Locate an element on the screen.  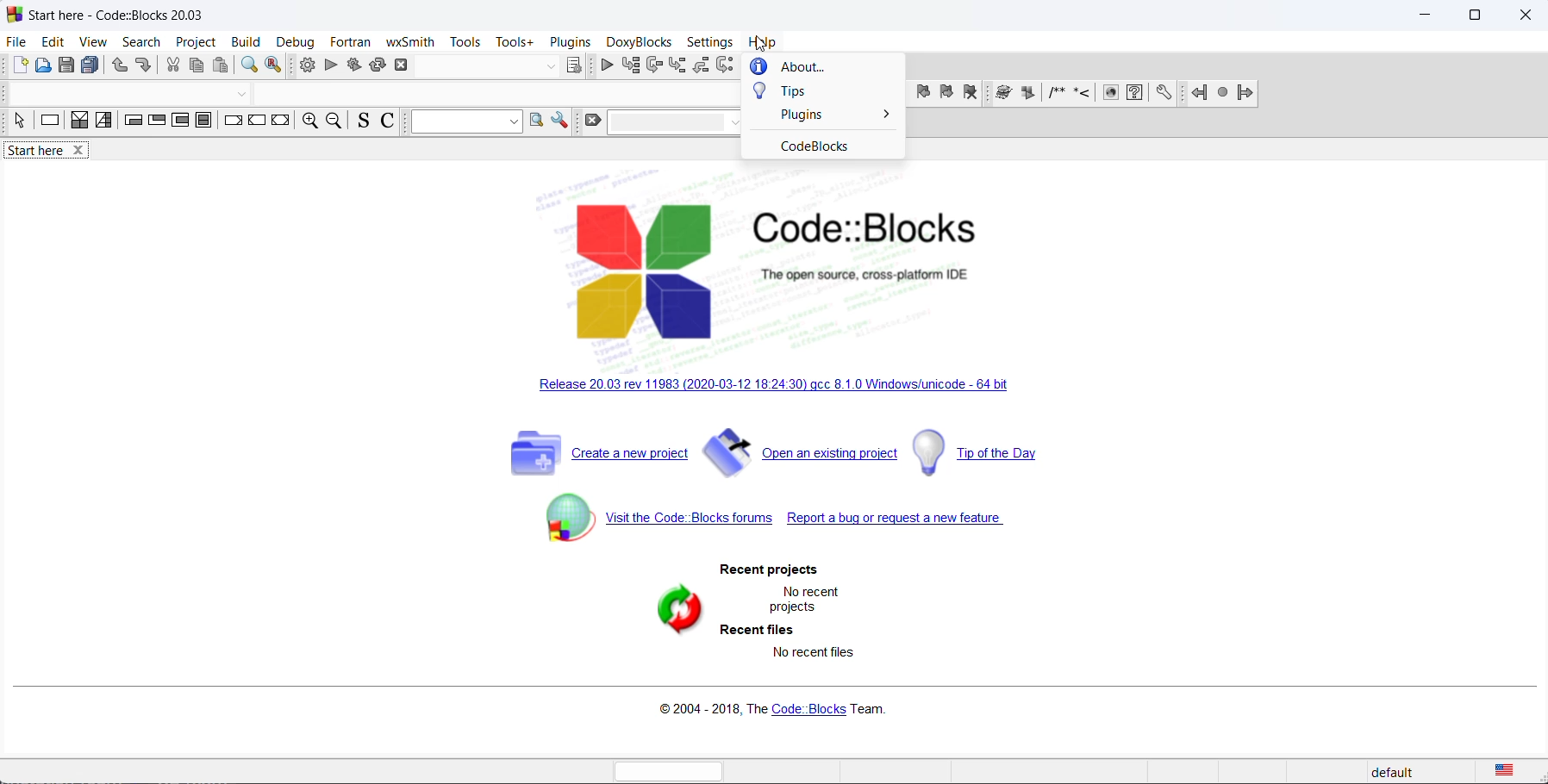
jump forward is located at coordinates (1245, 94).